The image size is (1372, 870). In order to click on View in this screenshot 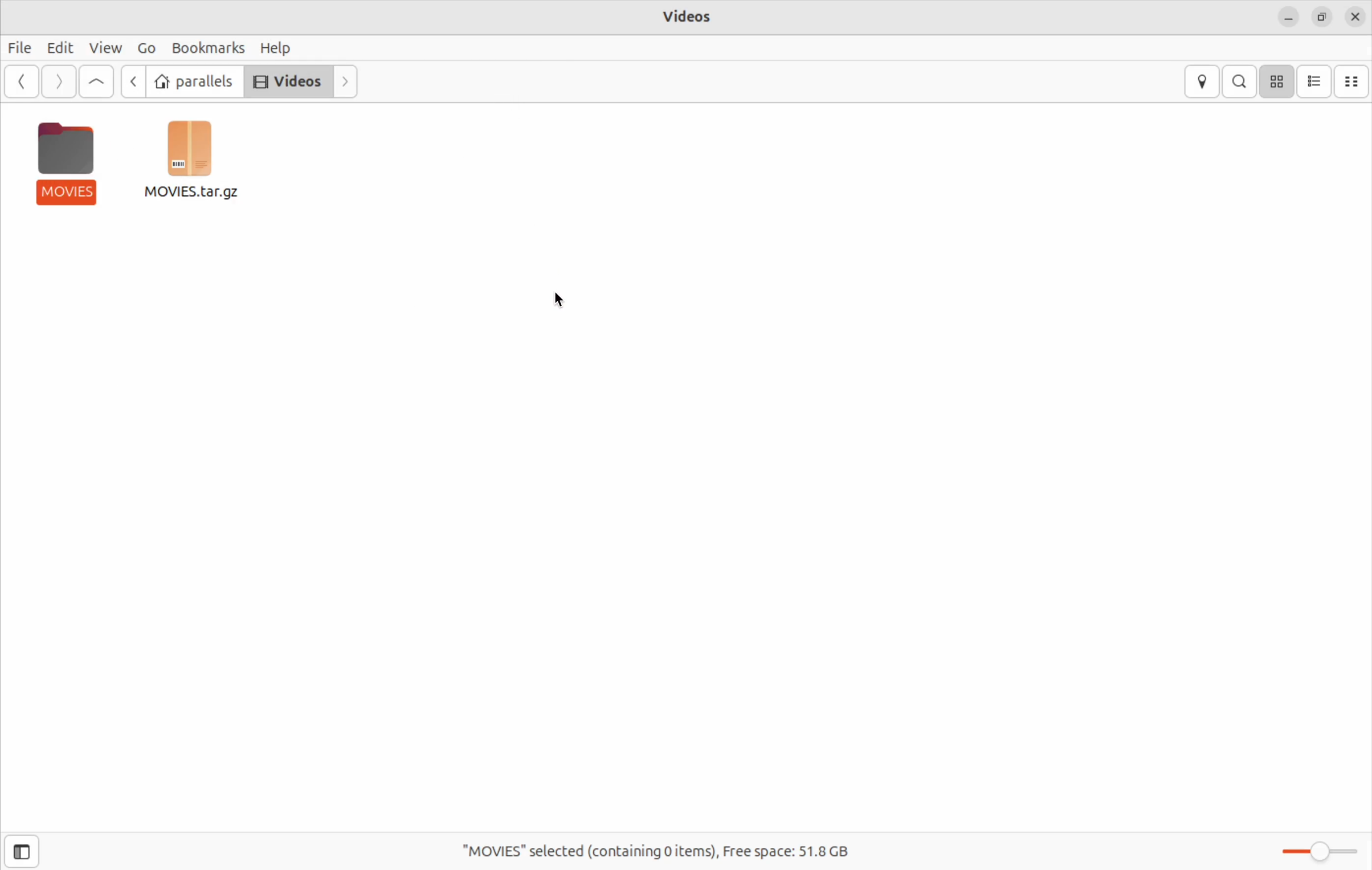, I will do `click(103, 48)`.